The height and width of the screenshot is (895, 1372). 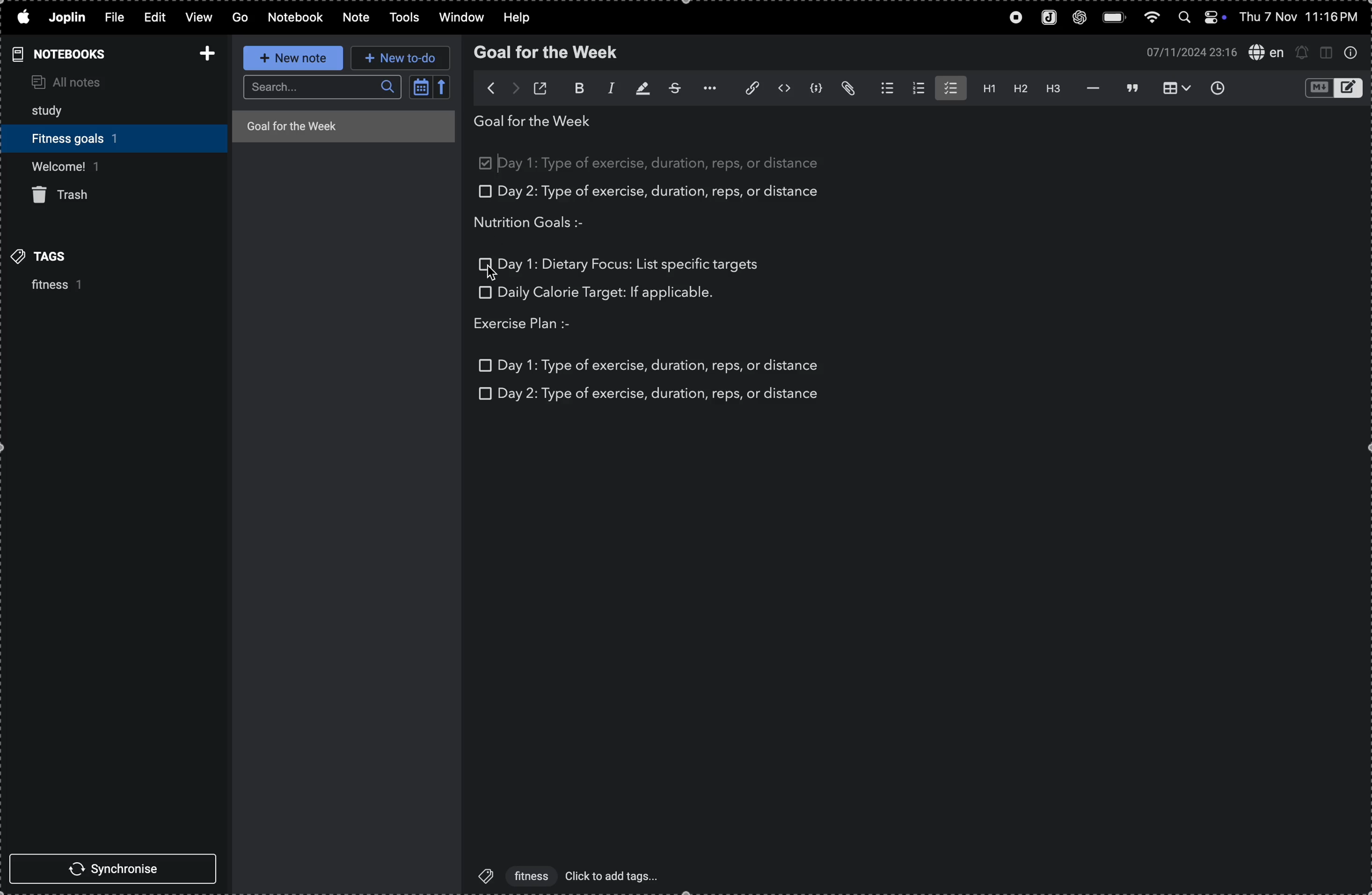 What do you see at coordinates (342, 125) in the screenshot?
I see `goal for the week` at bounding box center [342, 125].